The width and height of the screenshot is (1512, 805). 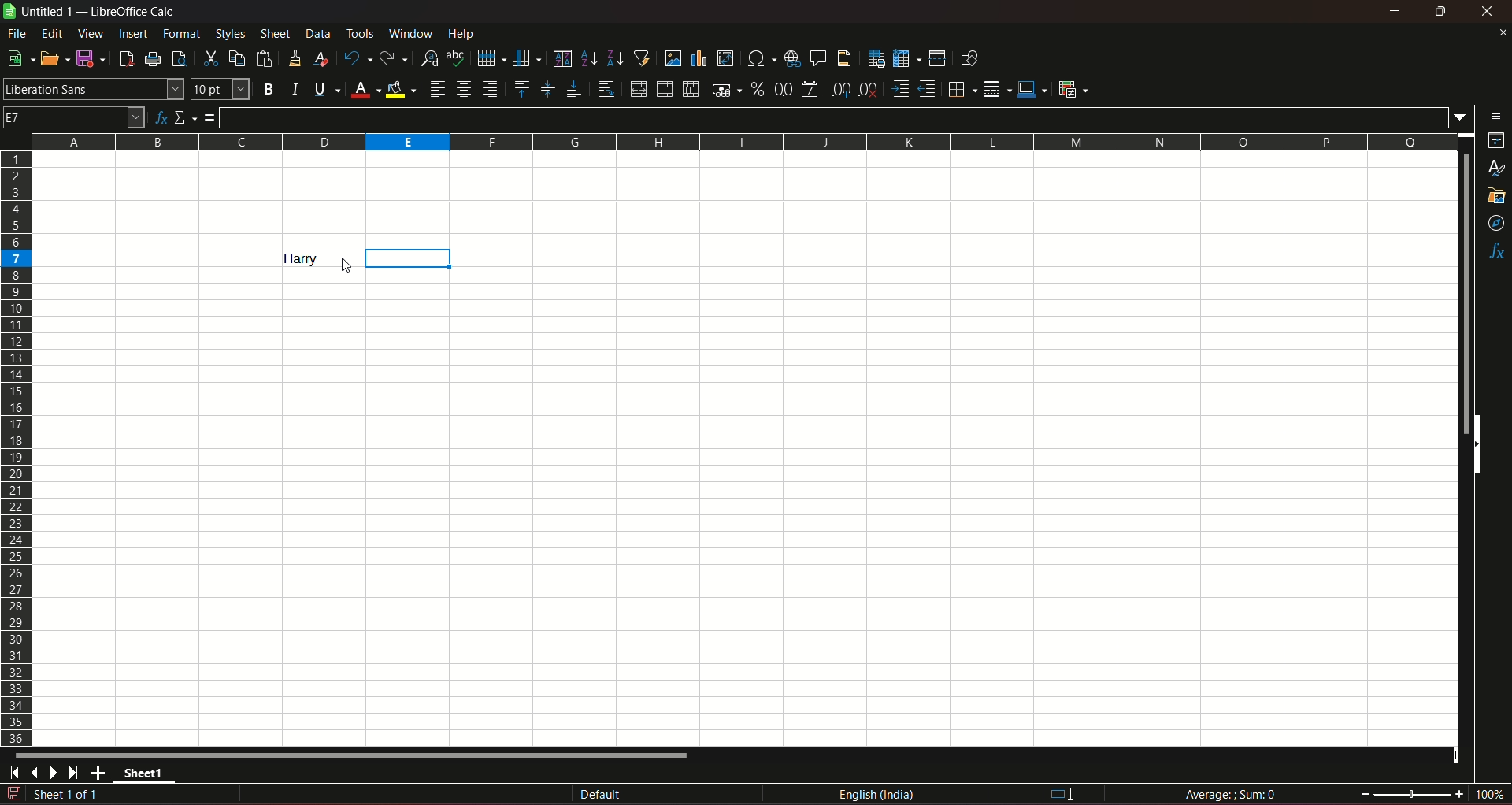 I want to click on sort desending, so click(x=616, y=57).